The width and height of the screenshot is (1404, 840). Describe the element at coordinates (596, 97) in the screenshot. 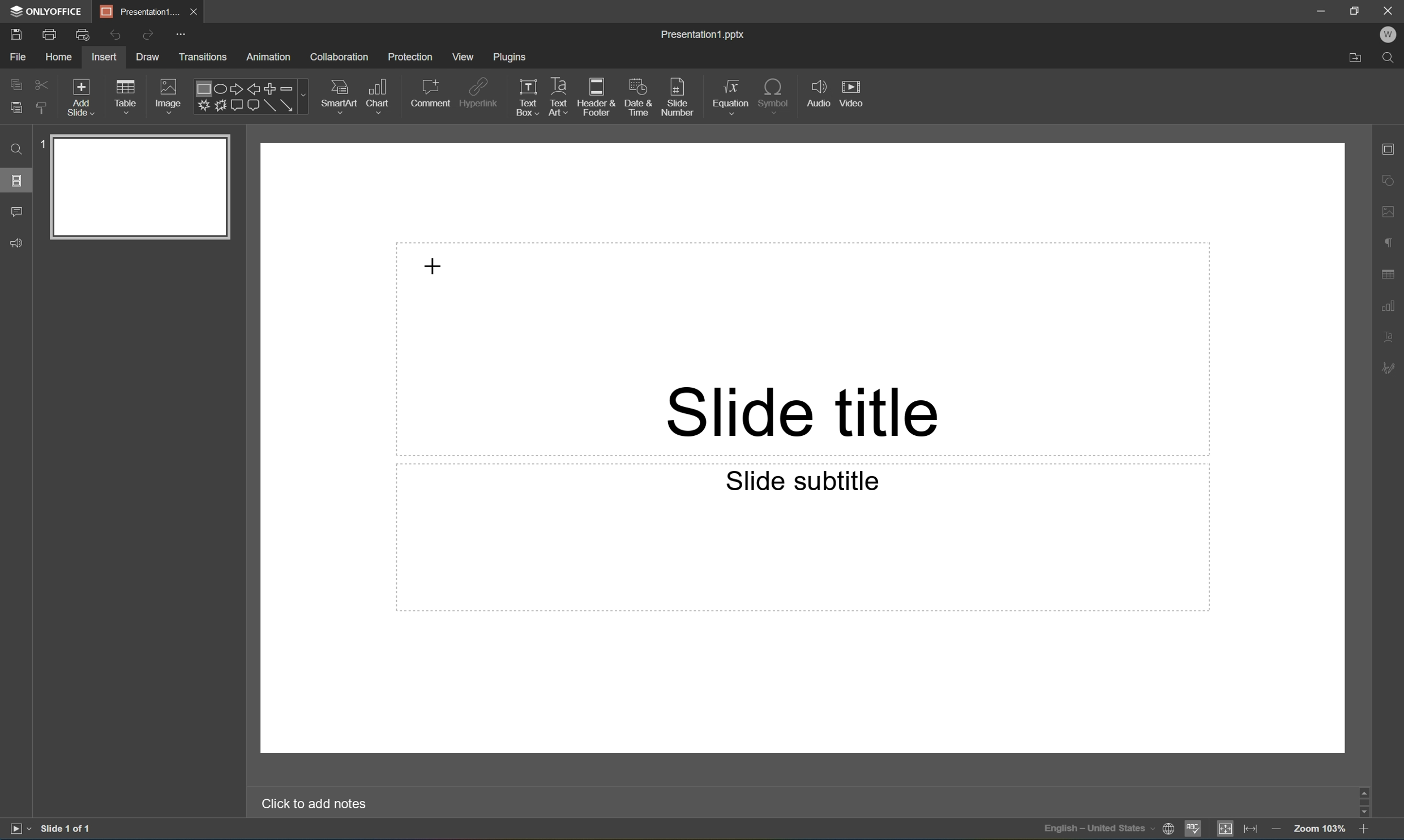

I see `Header & Footer` at that location.